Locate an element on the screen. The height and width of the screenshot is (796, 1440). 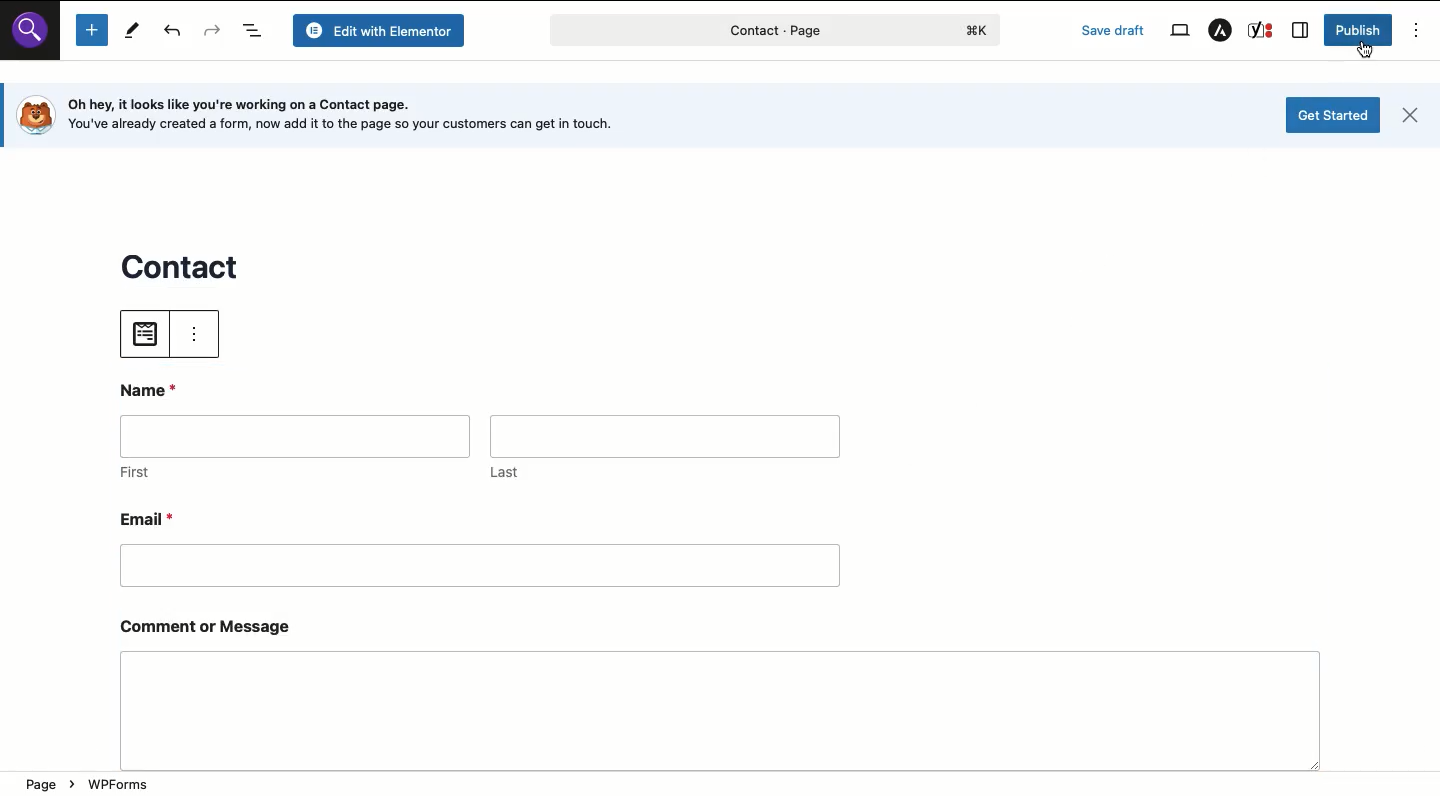
logo is located at coordinates (33, 115).